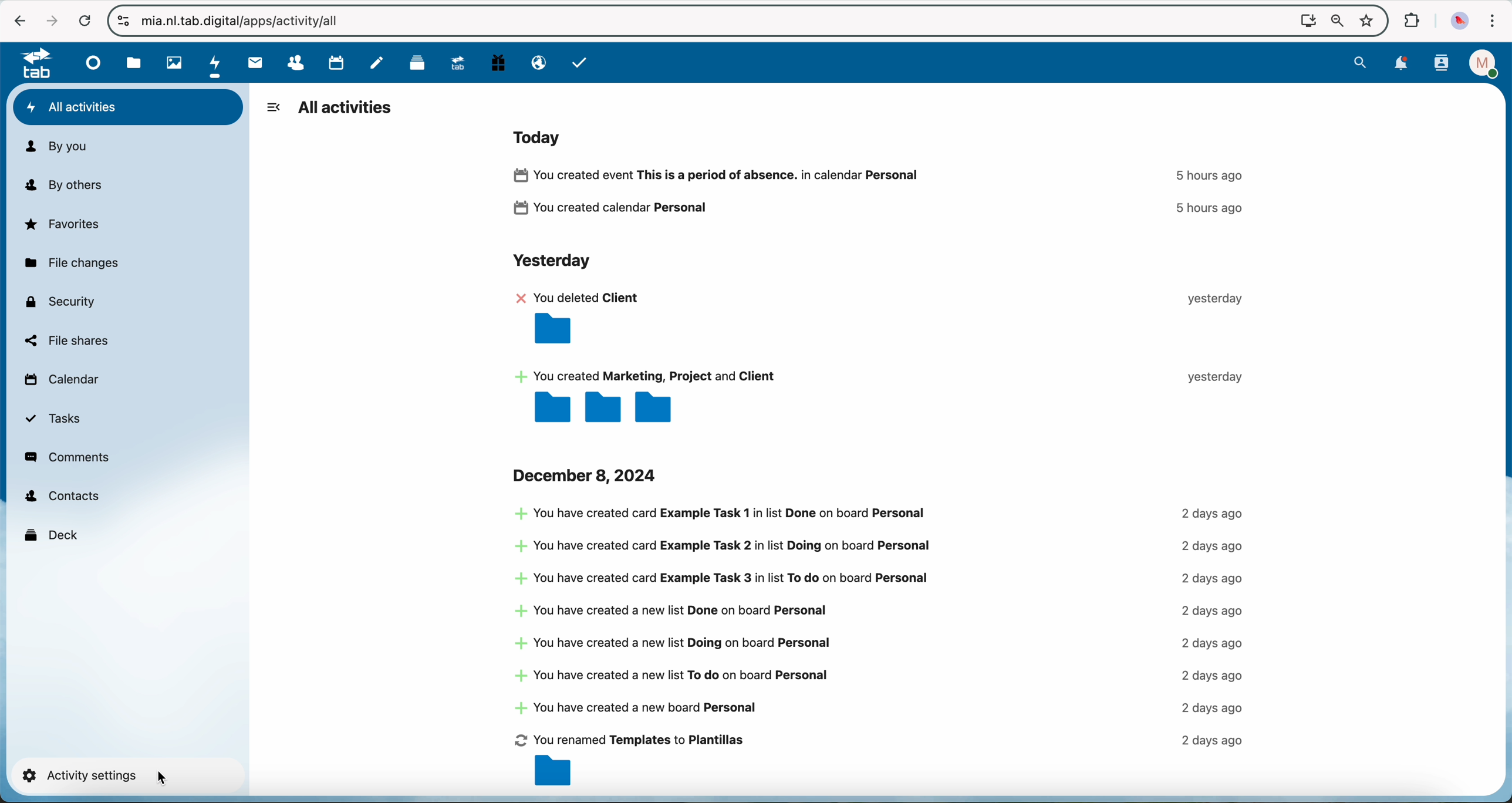 This screenshot has height=803, width=1512. I want to click on comments, so click(69, 457).